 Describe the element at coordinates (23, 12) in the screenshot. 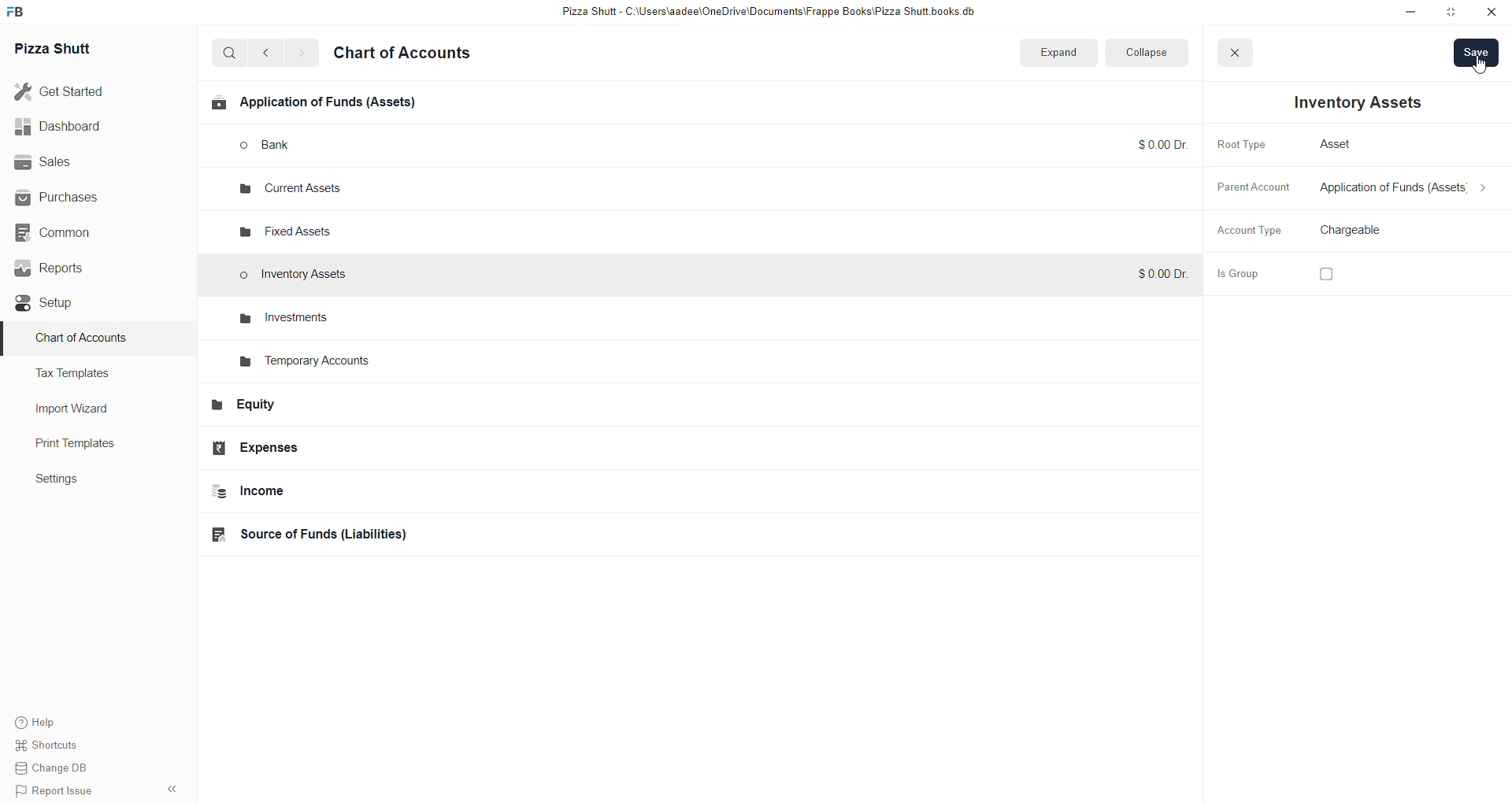

I see `Frappe Book Logo` at that location.